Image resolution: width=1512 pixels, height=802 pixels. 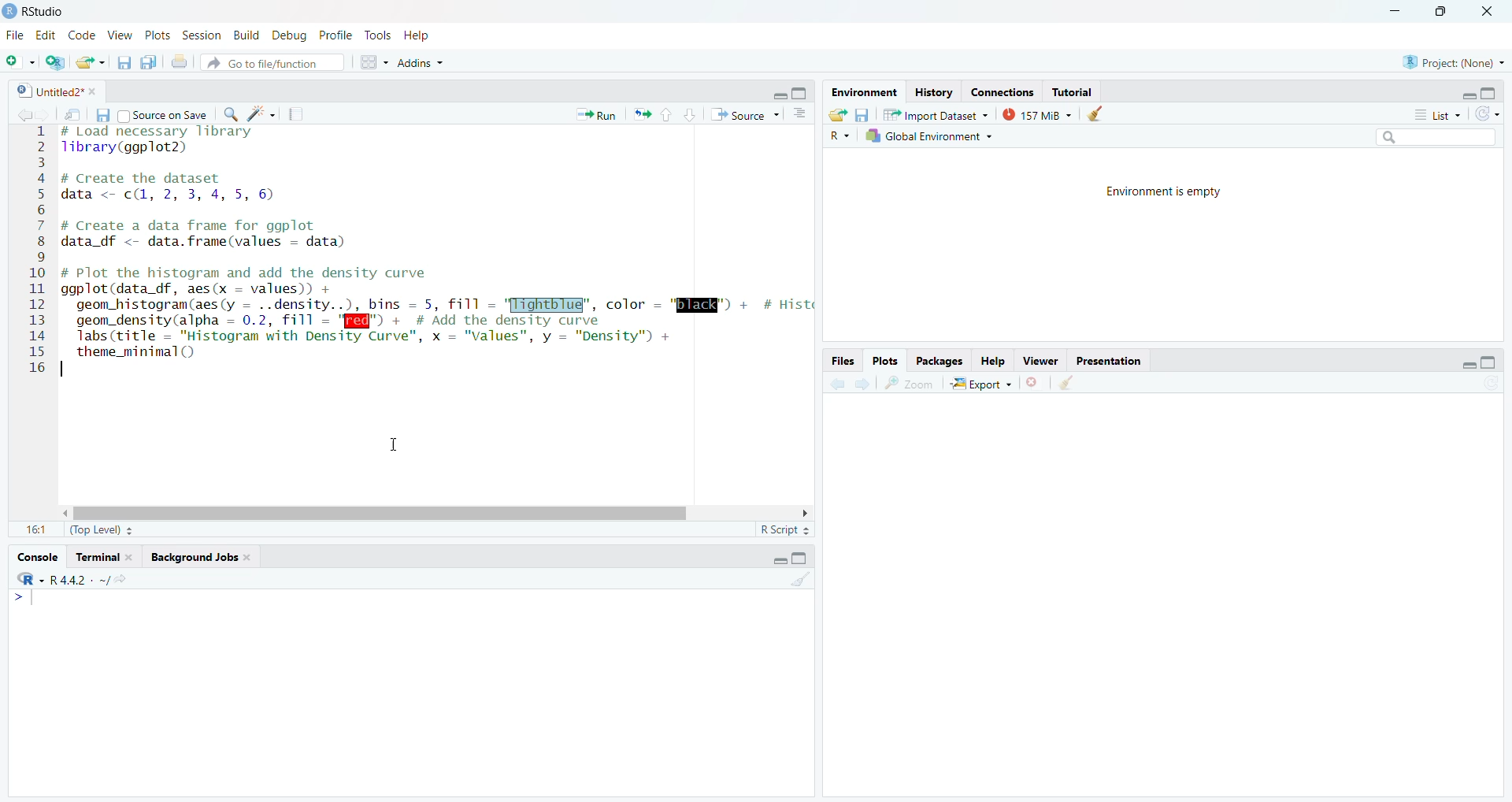 I want to click on R 4.4.2, so click(x=50, y=578).